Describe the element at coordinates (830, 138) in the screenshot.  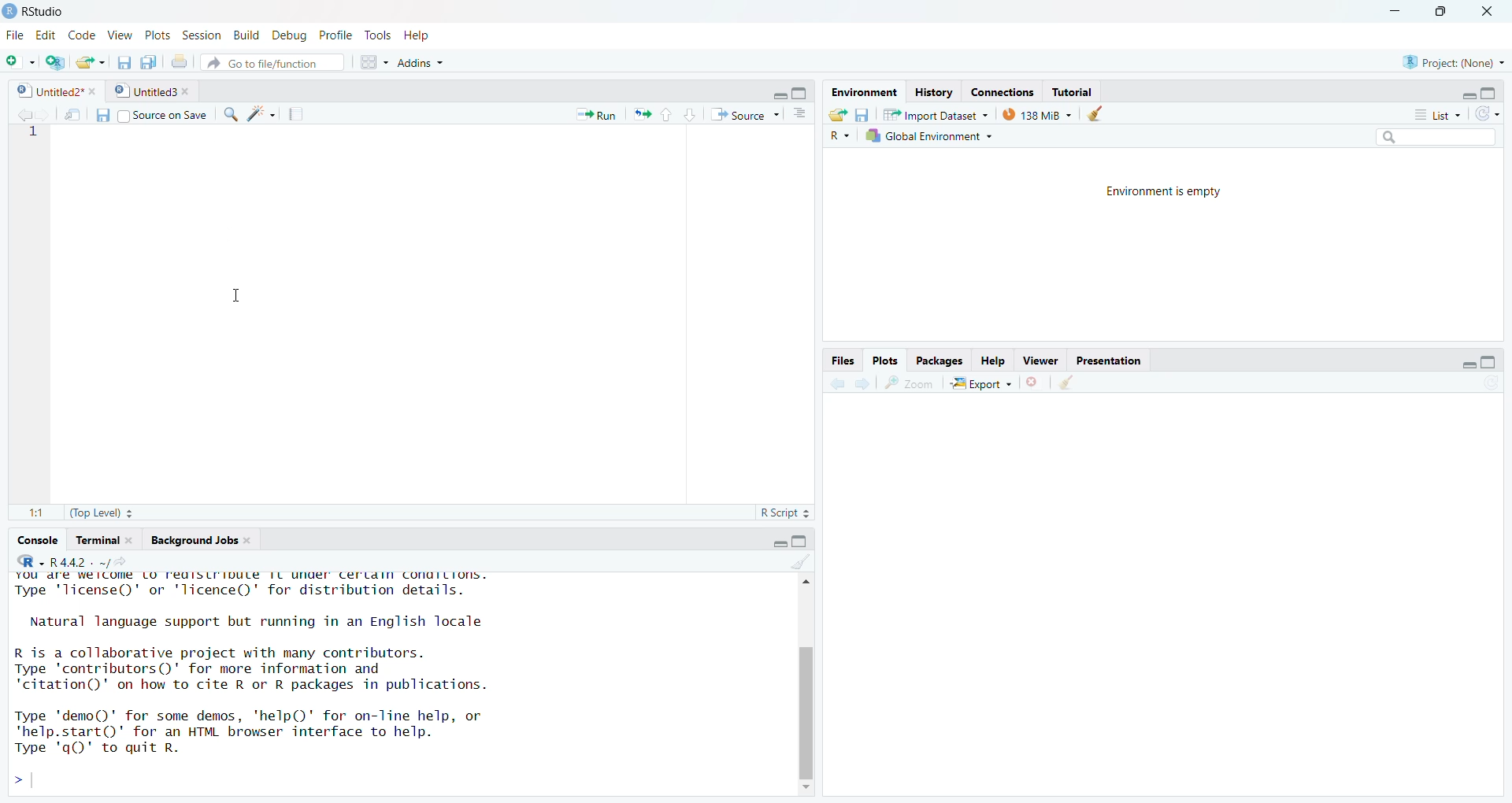
I see `Language` at that location.